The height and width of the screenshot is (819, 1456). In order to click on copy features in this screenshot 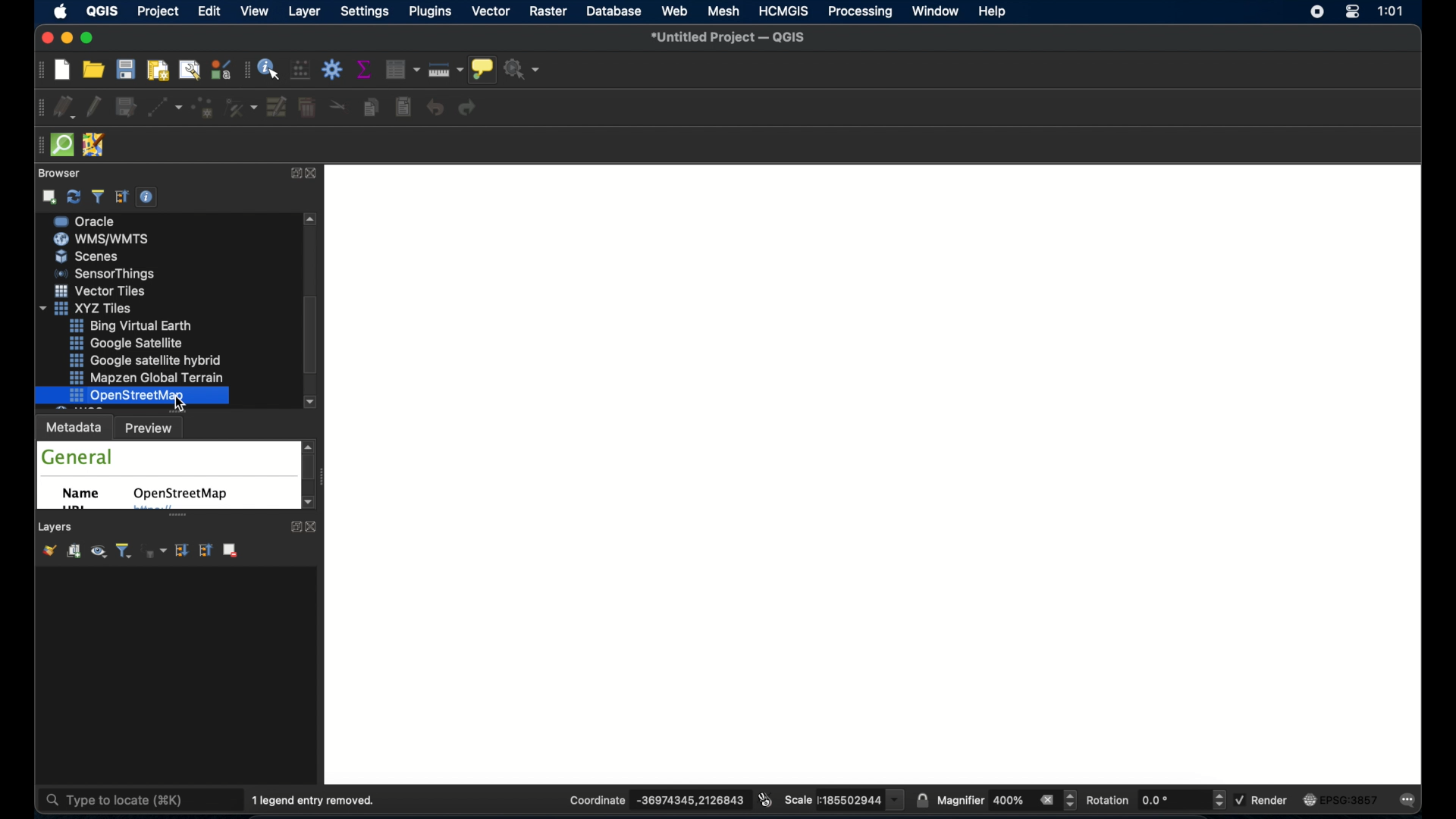, I will do `click(369, 108)`.